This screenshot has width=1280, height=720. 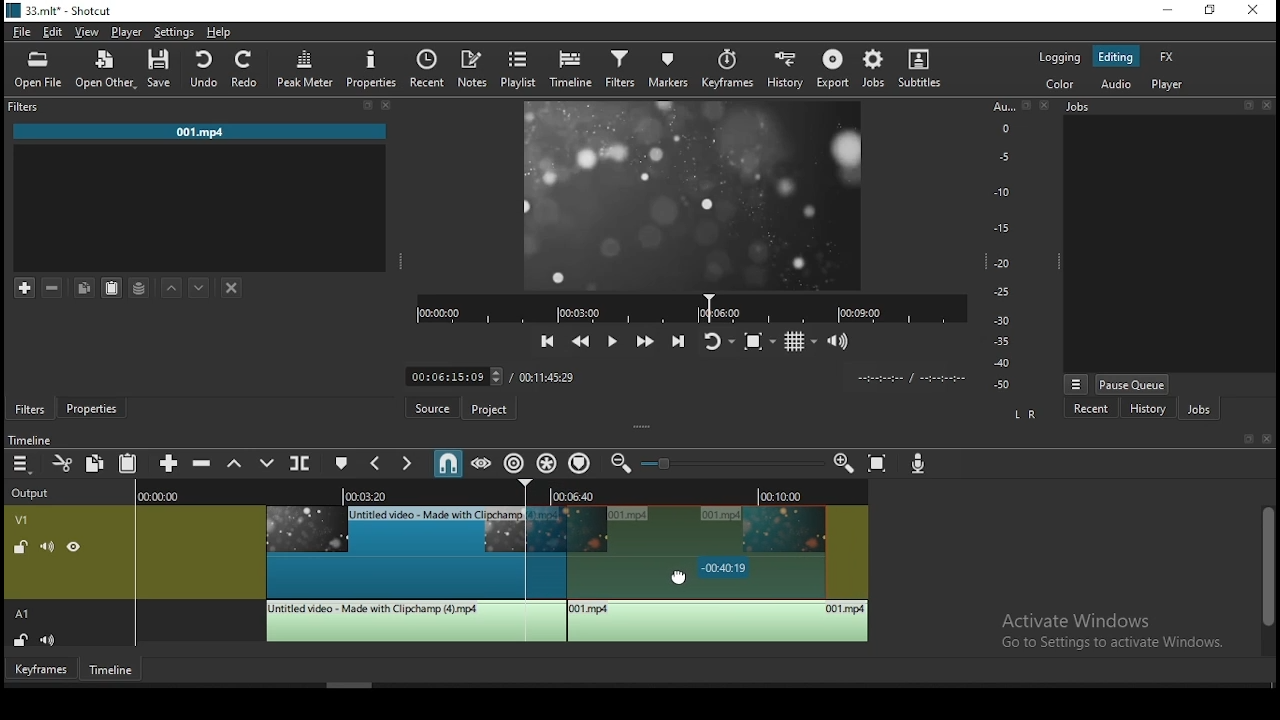 I want to click on close, so click(x=1269, y=440).